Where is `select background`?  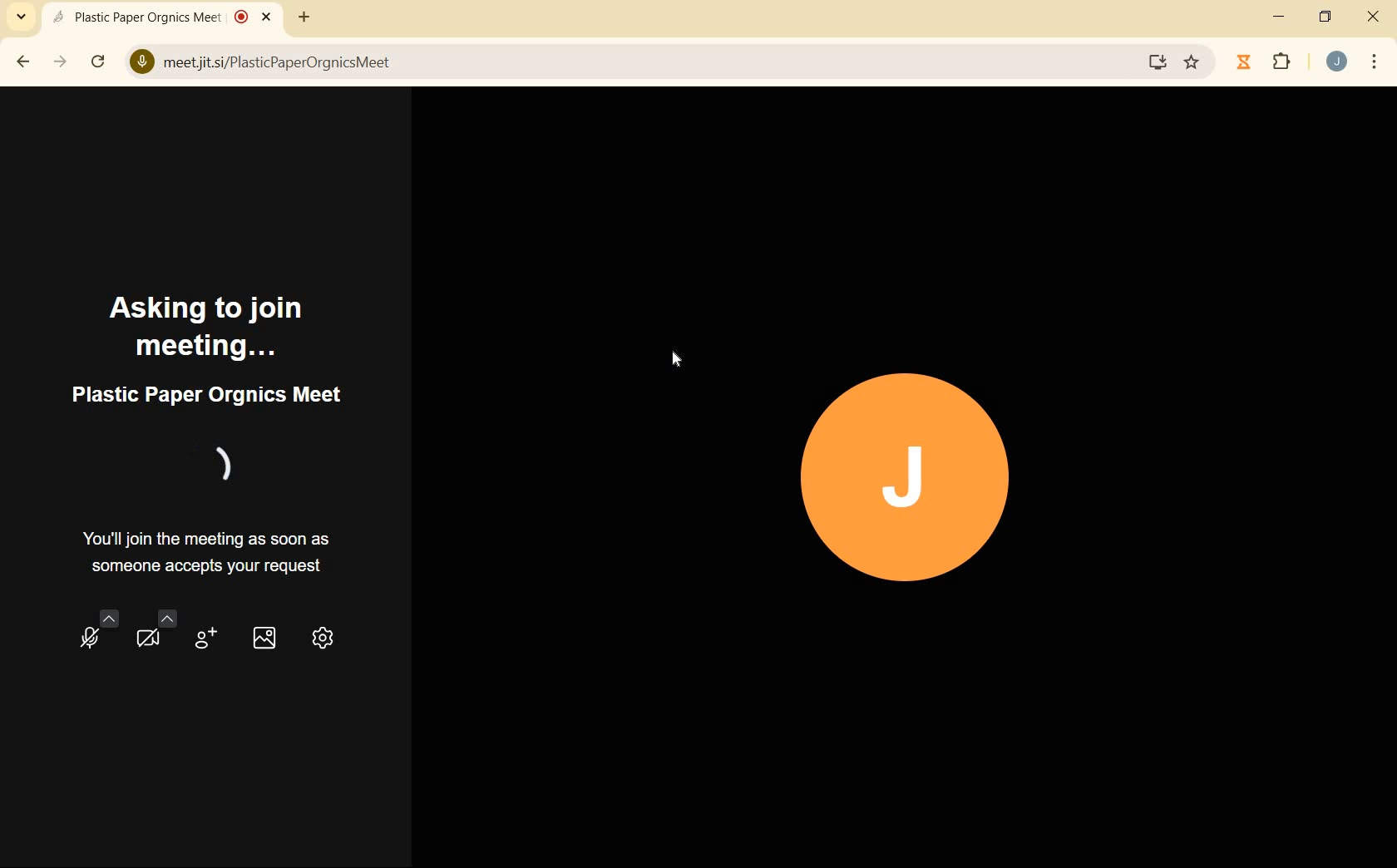 select background is located at coordinates (264, 635).